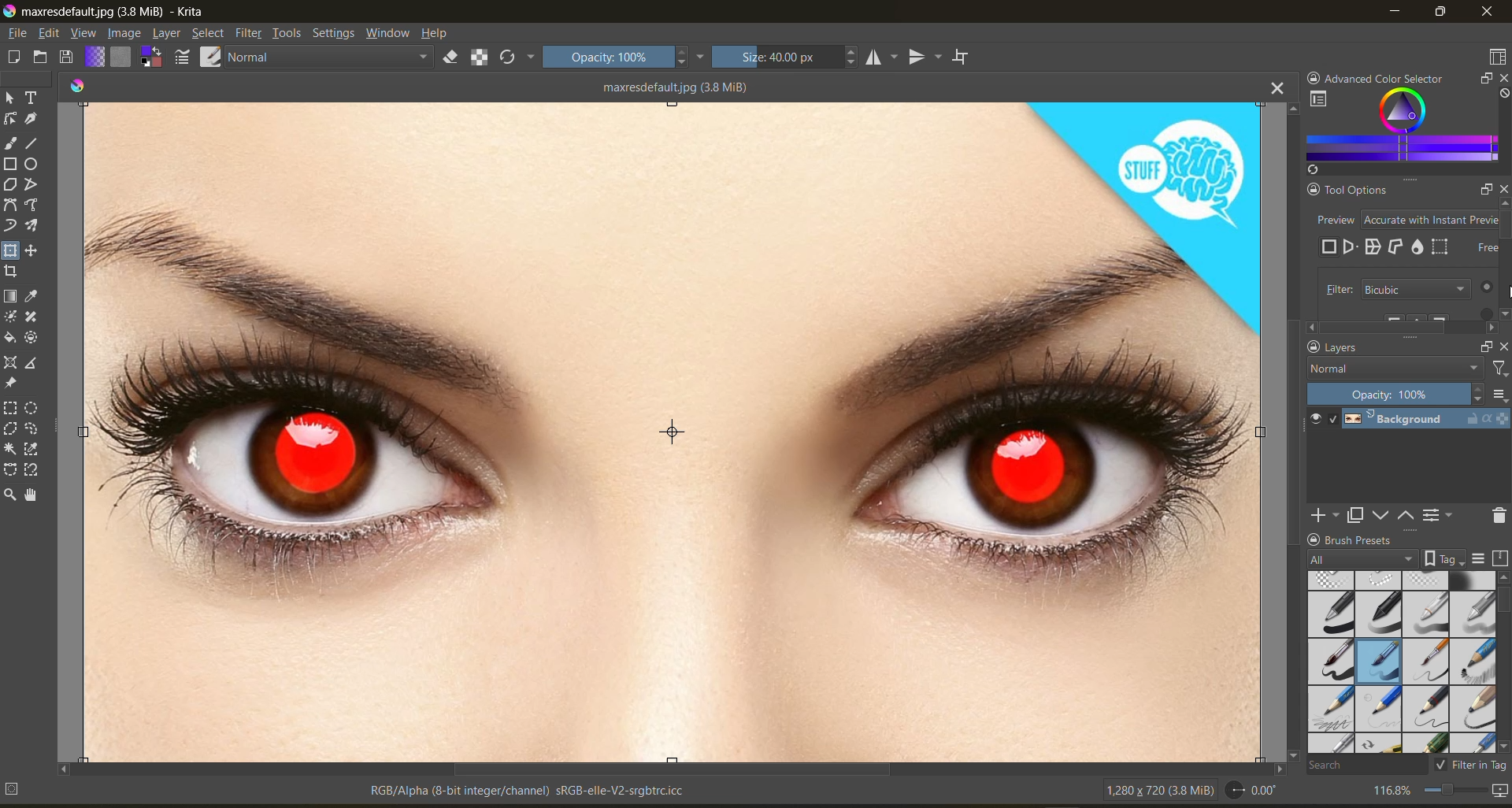 This screenshot has width=1512, height=808. What do you see at coordinates (31, 226) in the screenshot?
I see `tool` at bounding box center [31, 226].